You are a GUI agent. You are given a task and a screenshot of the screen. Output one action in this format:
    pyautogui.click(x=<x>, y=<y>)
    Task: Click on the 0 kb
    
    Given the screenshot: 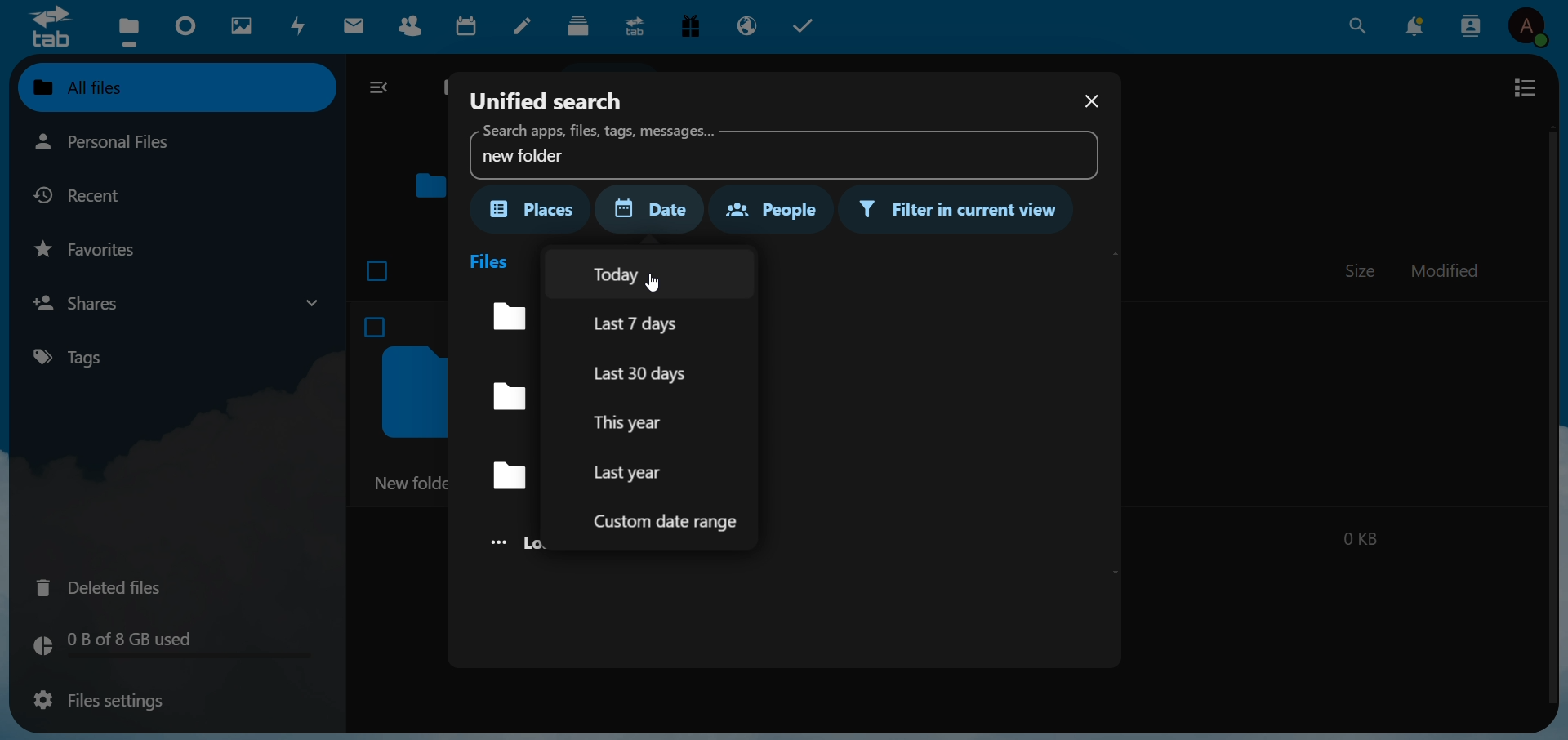 What is the action you would take?
    pyautogui.click(x=1359, y=536)
    